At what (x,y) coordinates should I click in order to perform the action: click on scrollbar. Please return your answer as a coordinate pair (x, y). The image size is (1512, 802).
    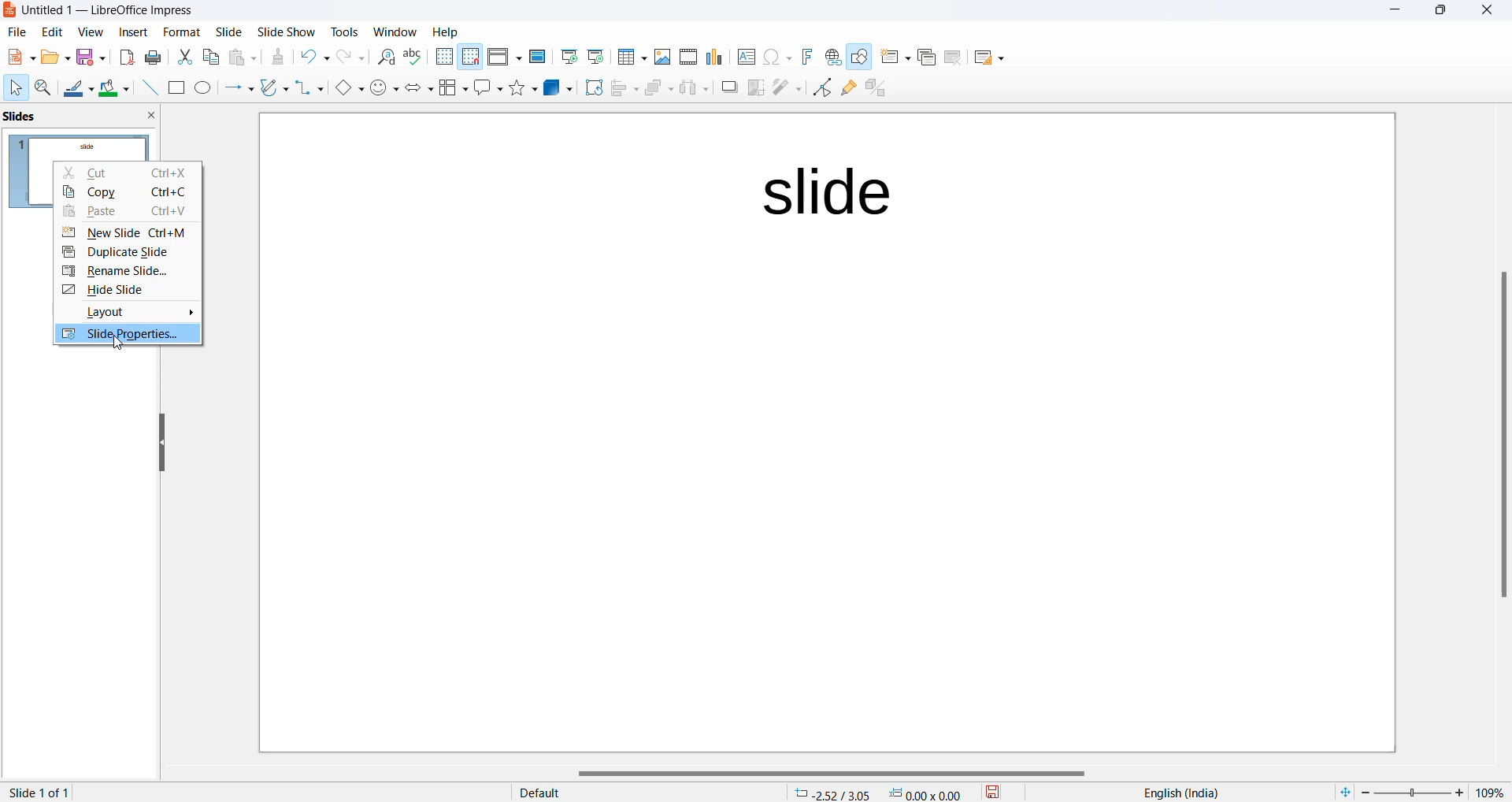
    Looking at the image, I should click on (1502, 433).